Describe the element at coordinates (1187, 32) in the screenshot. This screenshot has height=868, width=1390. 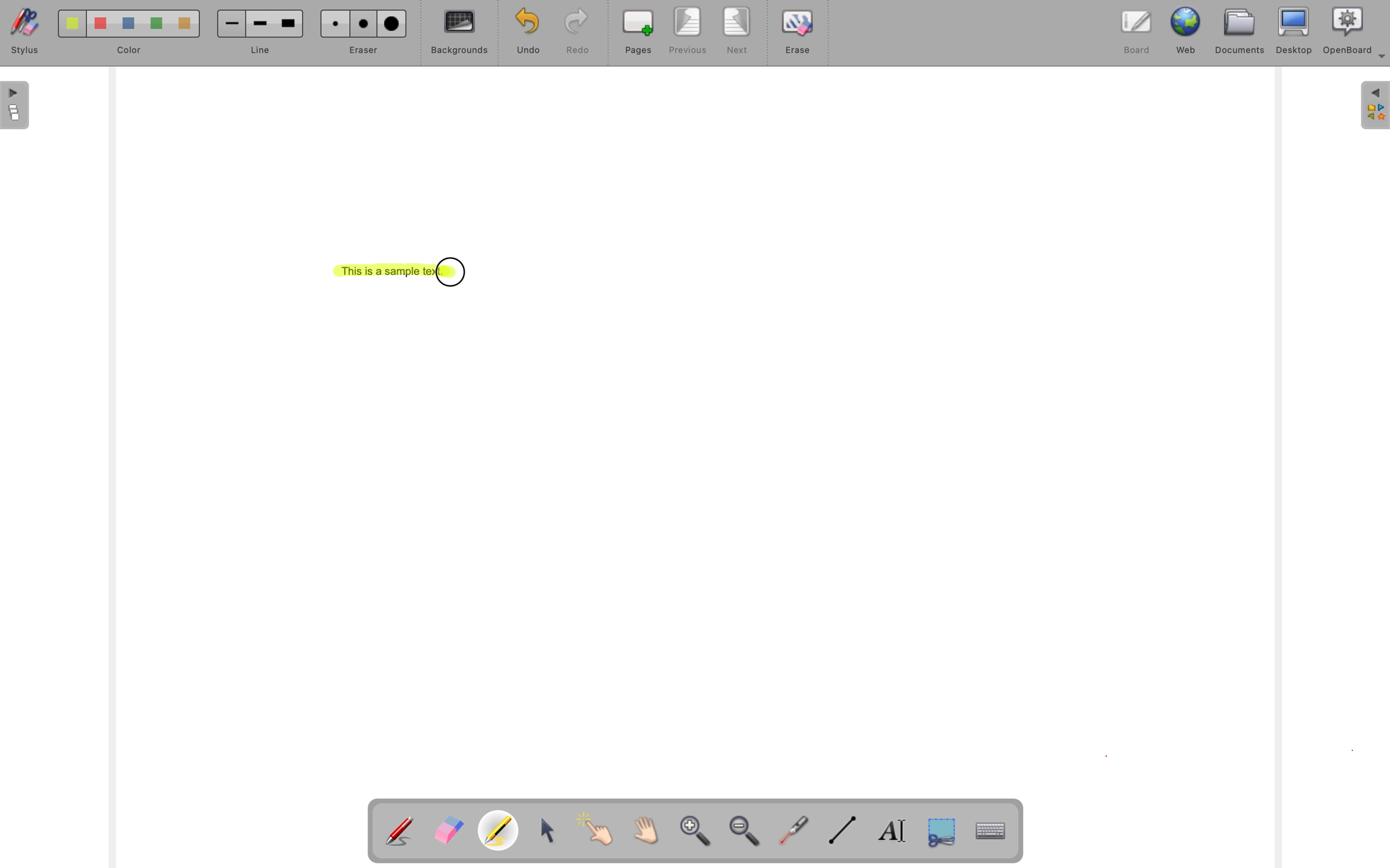
I see `web` at that location.